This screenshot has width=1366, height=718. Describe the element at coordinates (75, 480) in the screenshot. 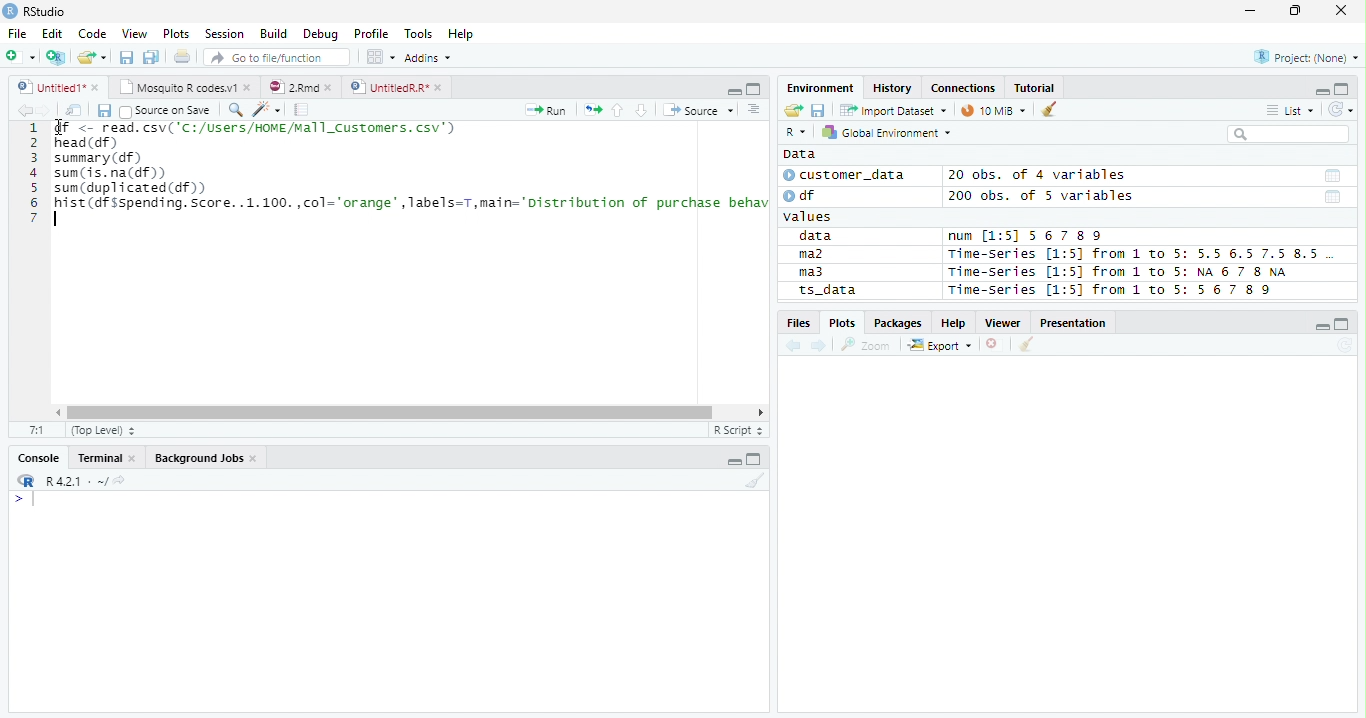

I see `R 4.2.1 ~/` at that location.